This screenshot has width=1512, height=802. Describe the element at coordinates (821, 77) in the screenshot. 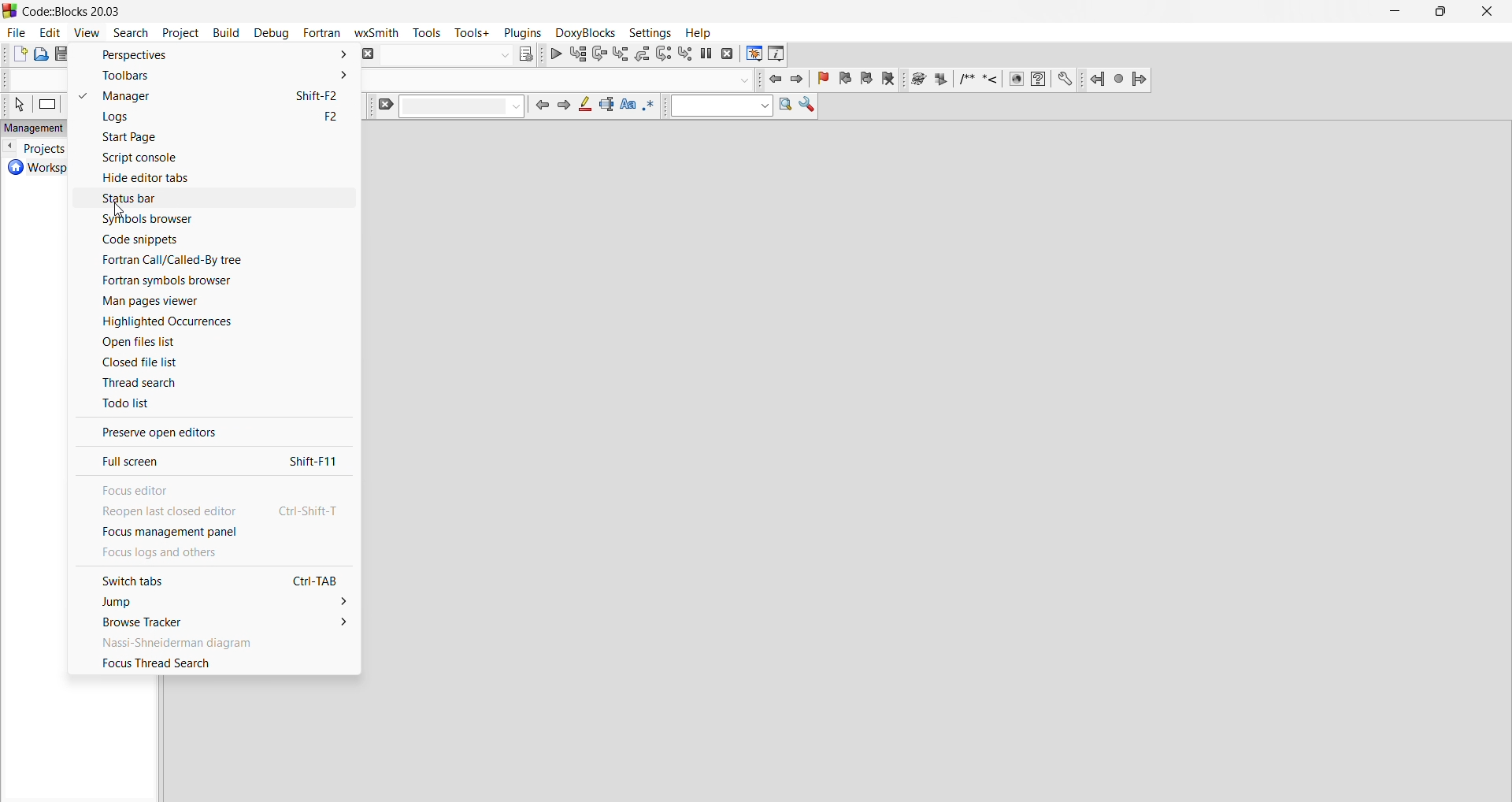

I see `toggle bookmark` at that location.